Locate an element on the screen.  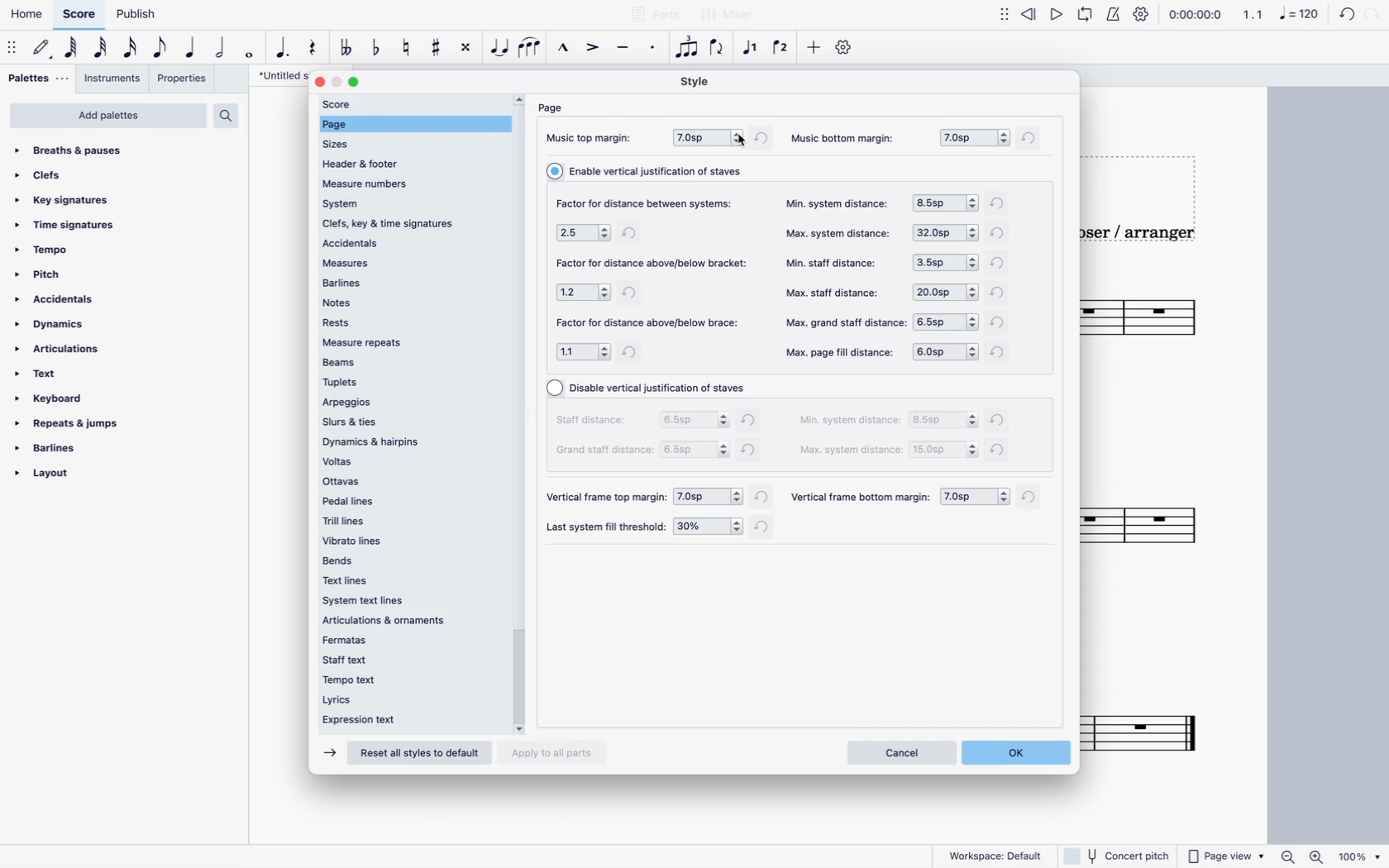
options is located at coordinates (944, 449).